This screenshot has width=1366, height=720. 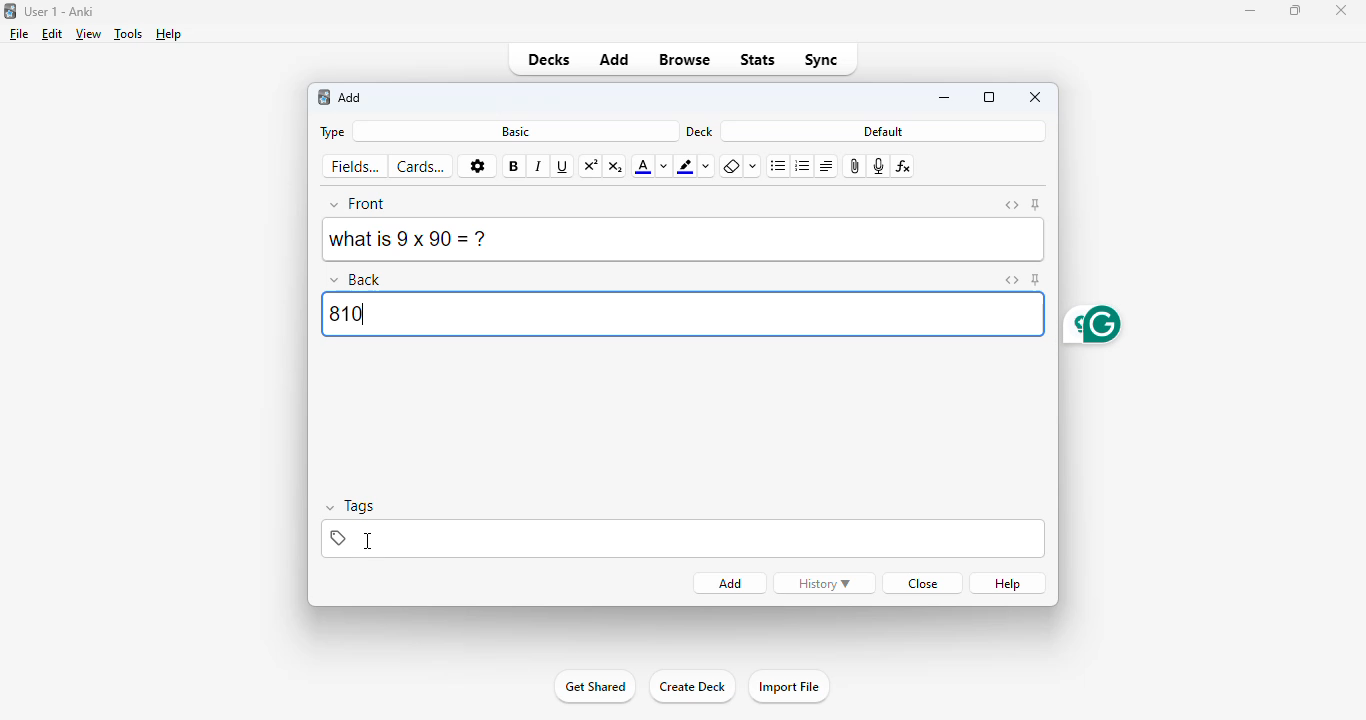 What do you see at coordinates (1036, 96) in the screenshot?
I see `close` at bounding box center [1036, 96].